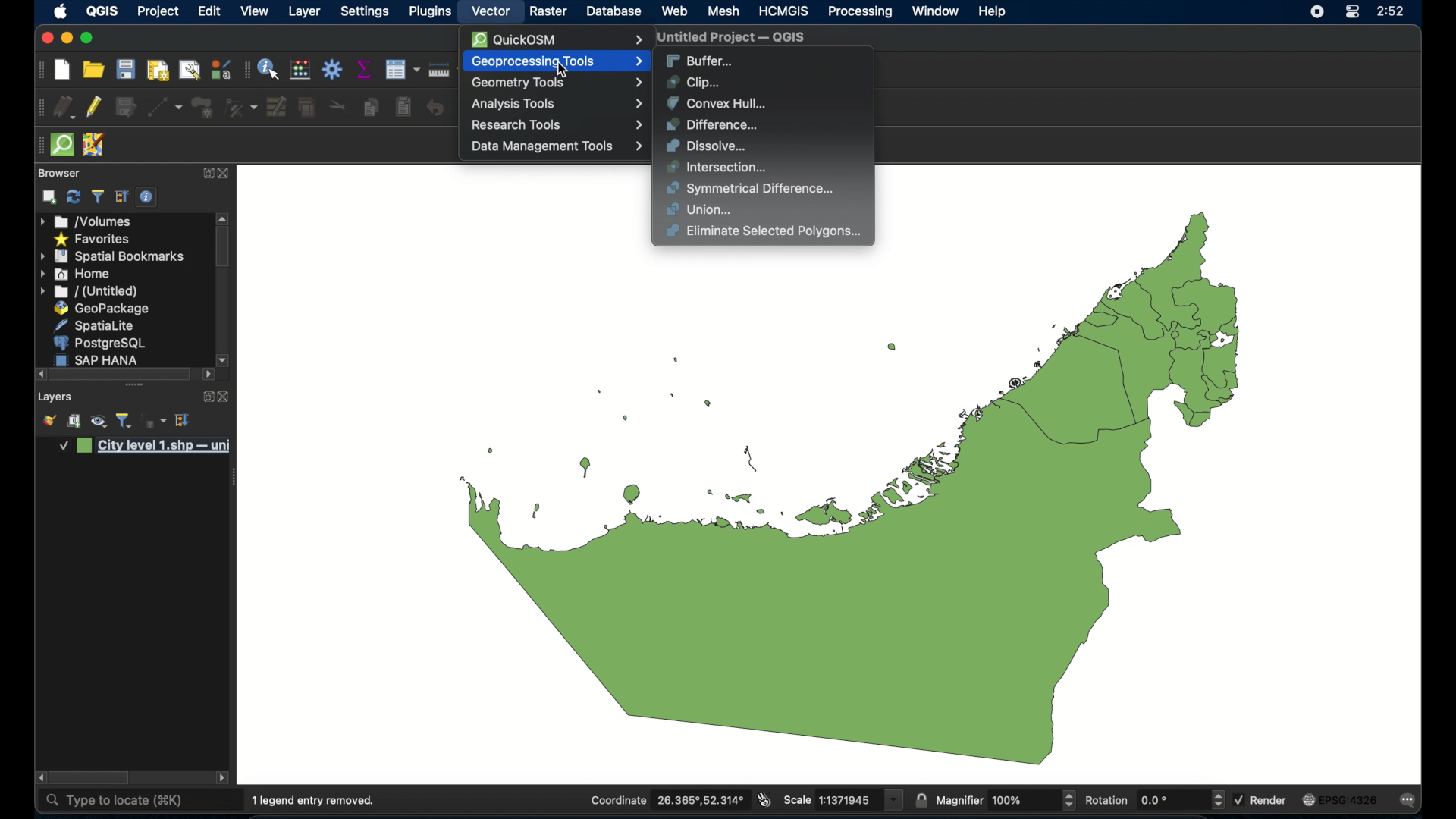 This screenshot has height=819, width=1456. I want to click on convex hull, so click(716, 102).